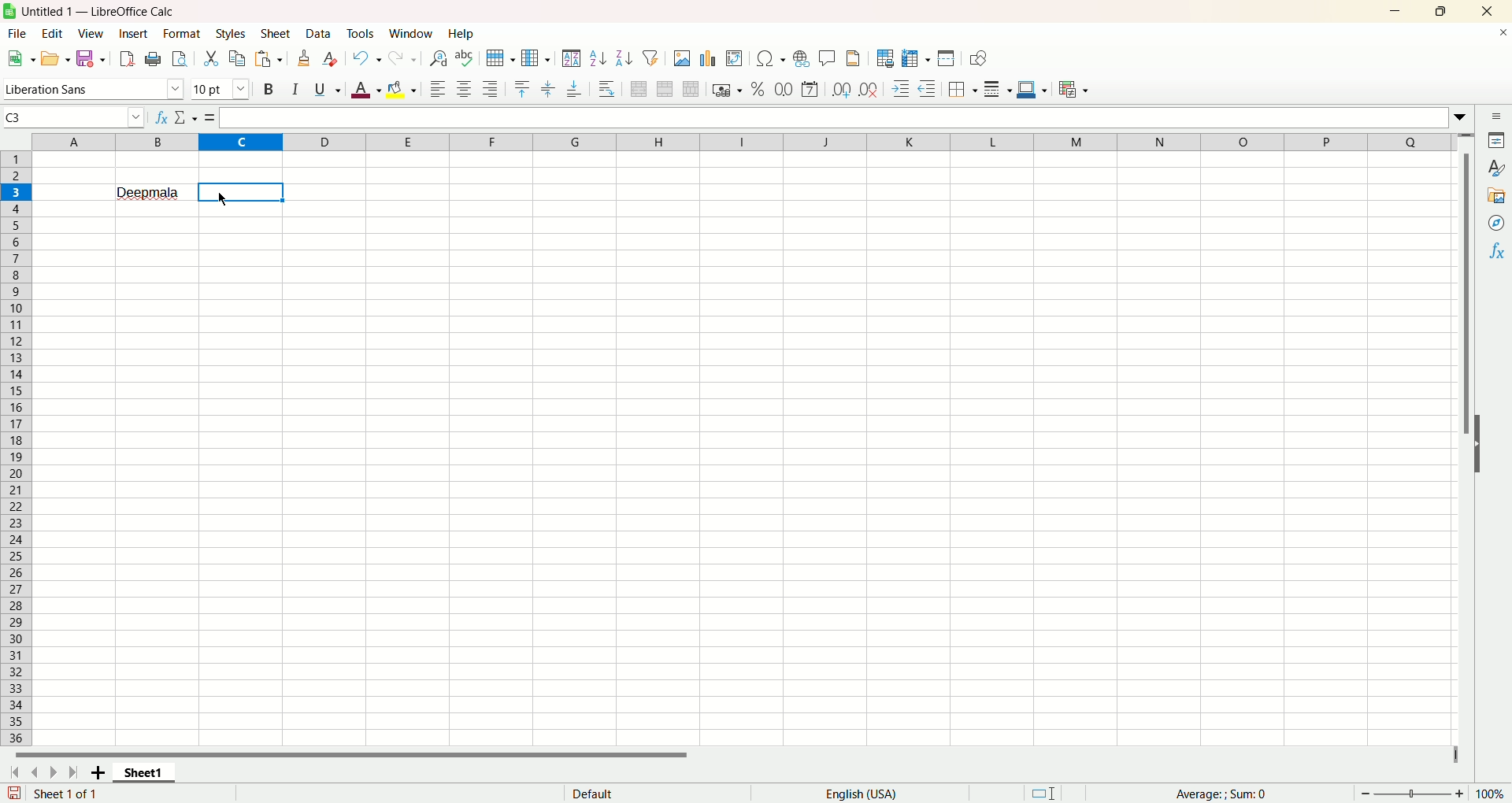 This screenshot has height=803, width=1512. Describe the element at coordinates (269, 58) in the screenshot. I see `Paste` at that location.